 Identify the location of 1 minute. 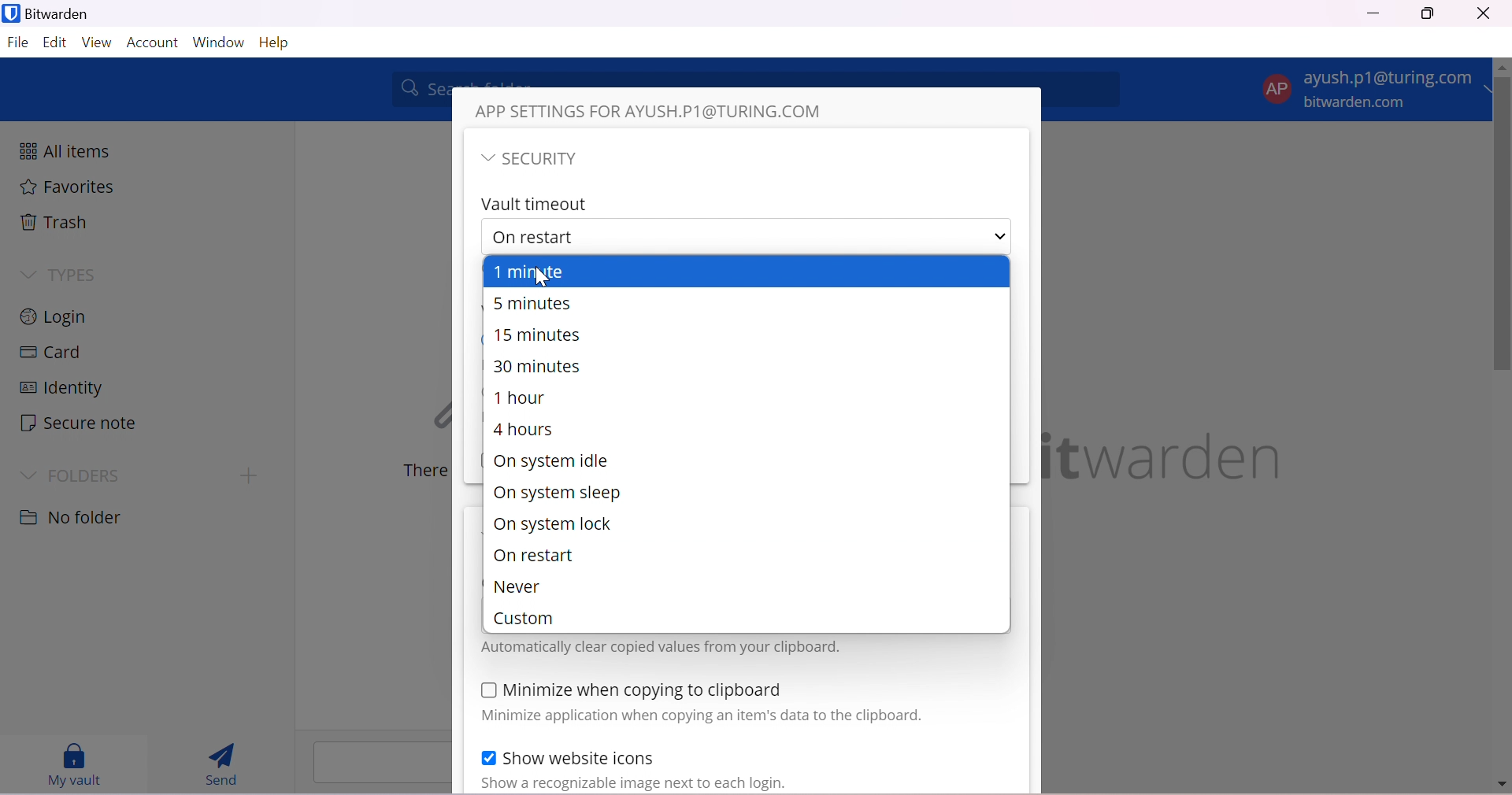
(541, 272).